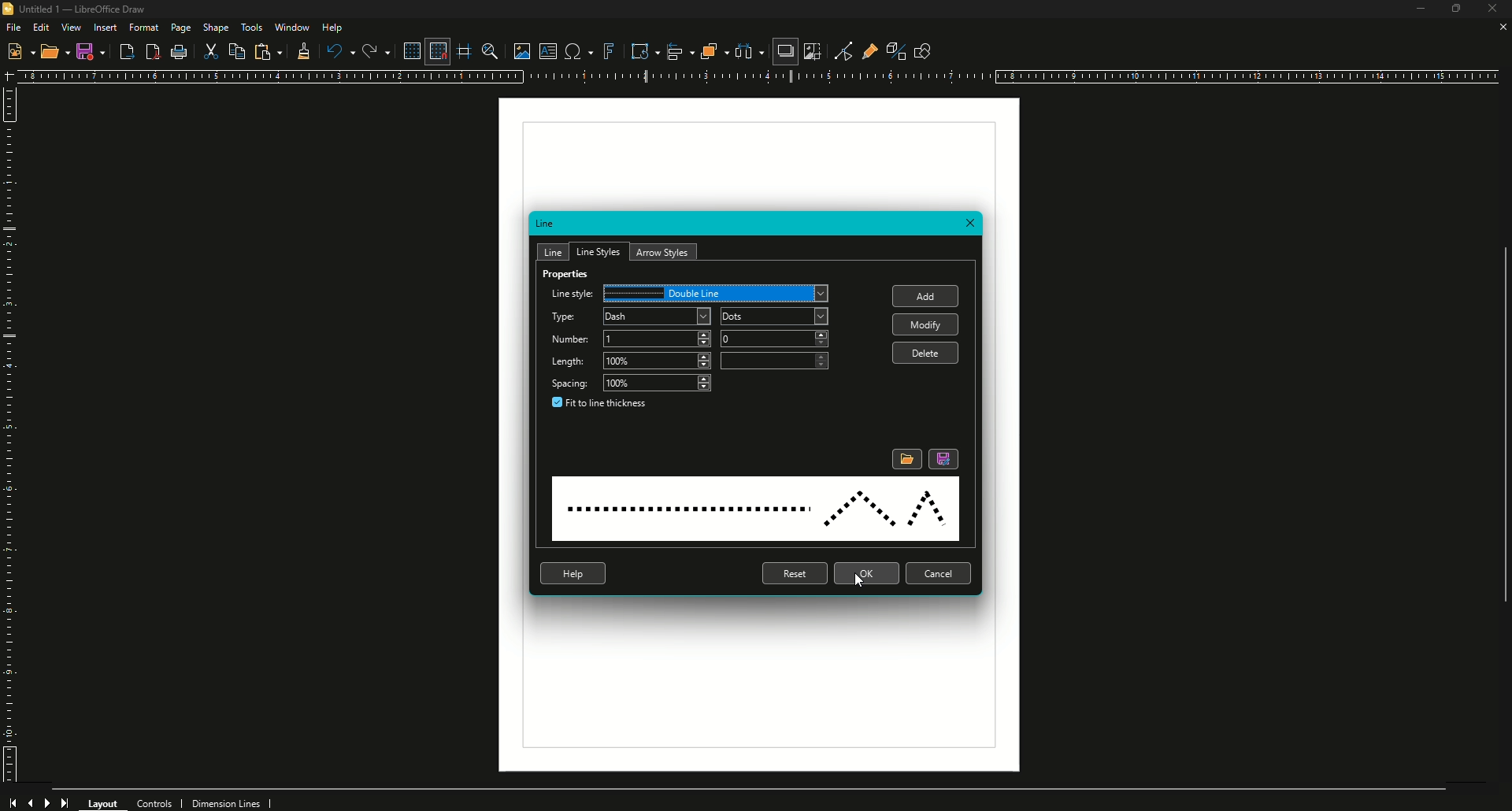  I want to click on Window, so click(291, 27).